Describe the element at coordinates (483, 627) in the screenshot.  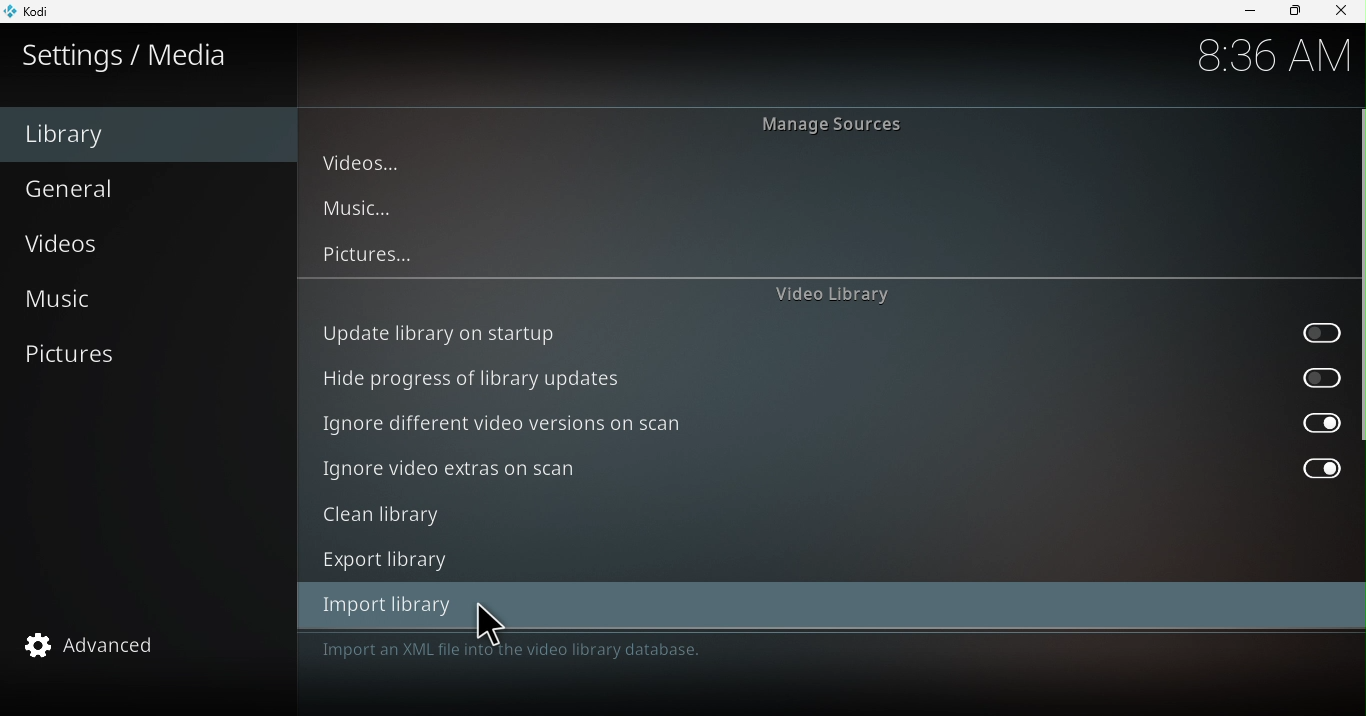
I see `cursor` at that location.